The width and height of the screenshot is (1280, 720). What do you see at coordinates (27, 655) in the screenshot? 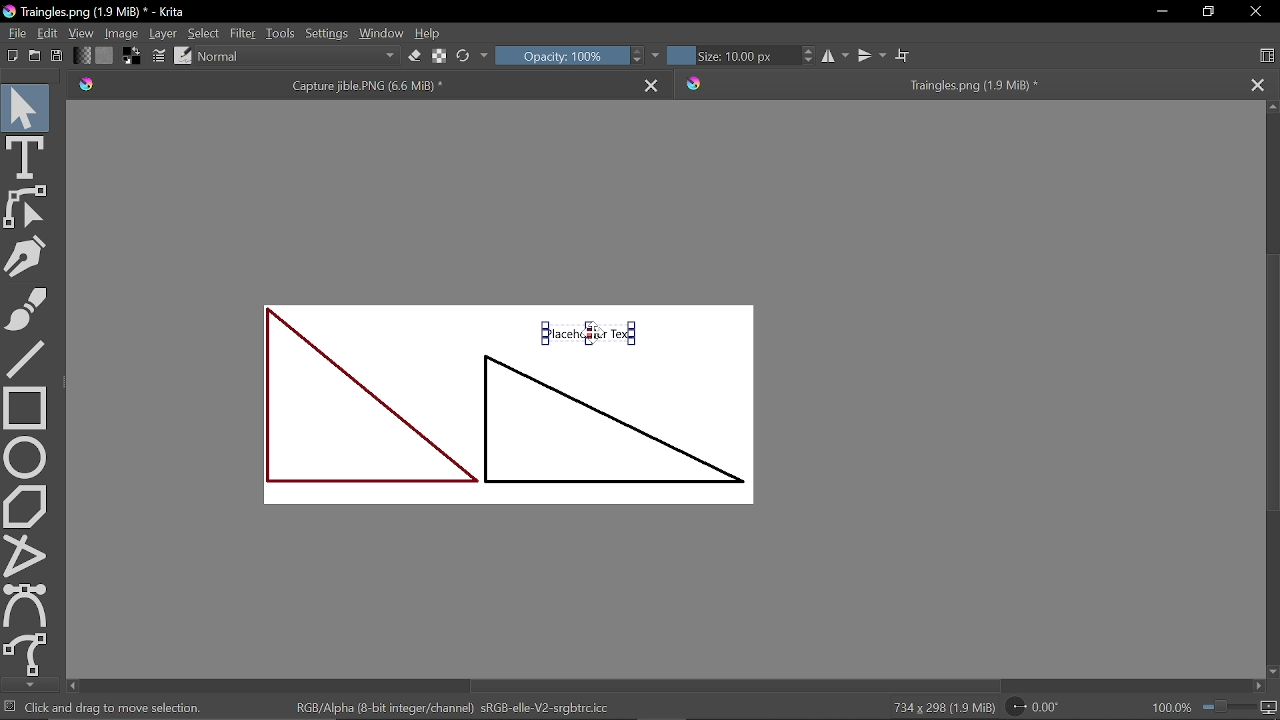
I see `Freehand select tool` at bounding box center [27, 655].